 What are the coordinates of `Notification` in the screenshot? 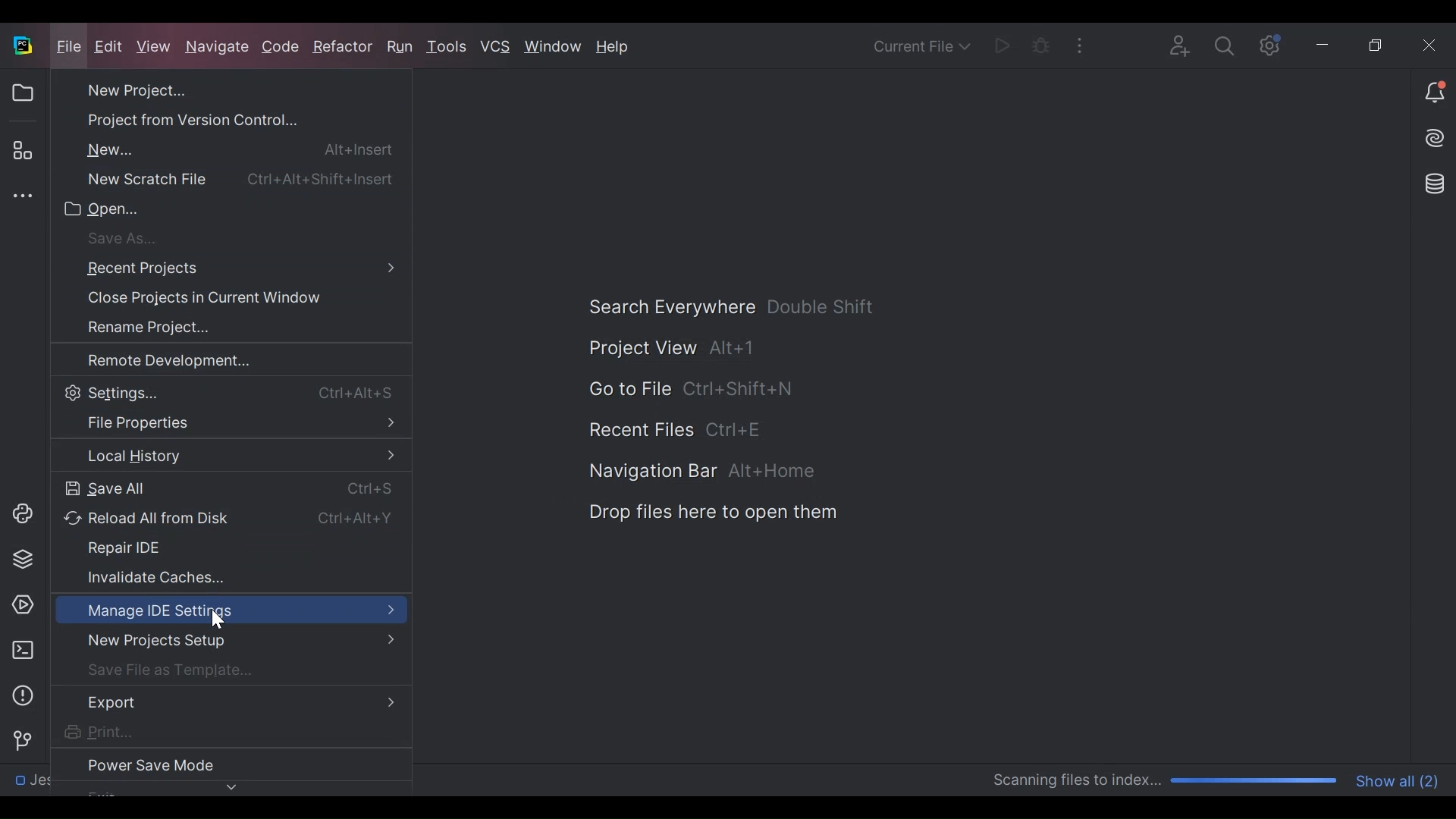 It's located at (1434, 93).